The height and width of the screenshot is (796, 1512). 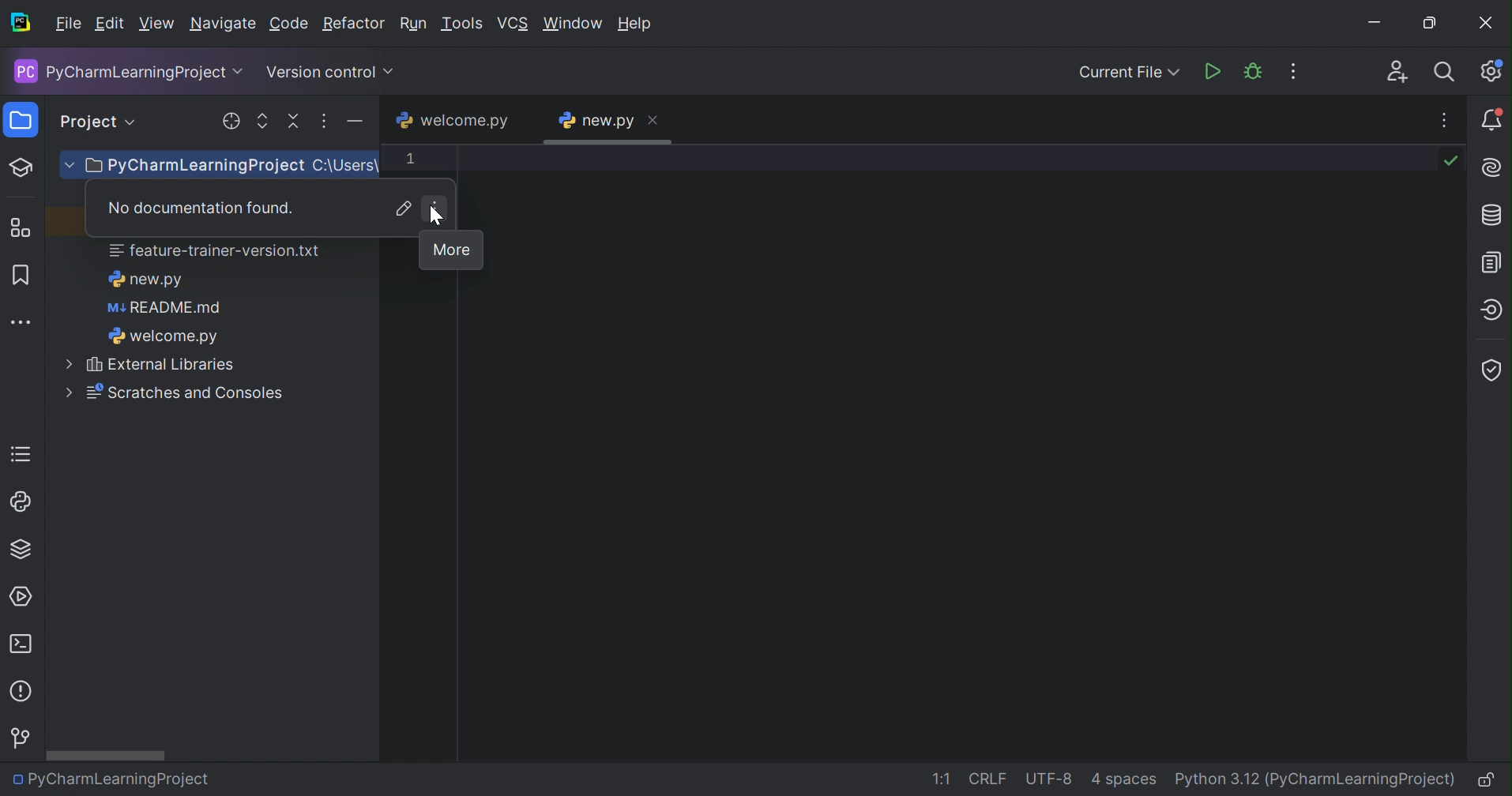 I want to click on Current FIle, so click(x=1130, y=73).